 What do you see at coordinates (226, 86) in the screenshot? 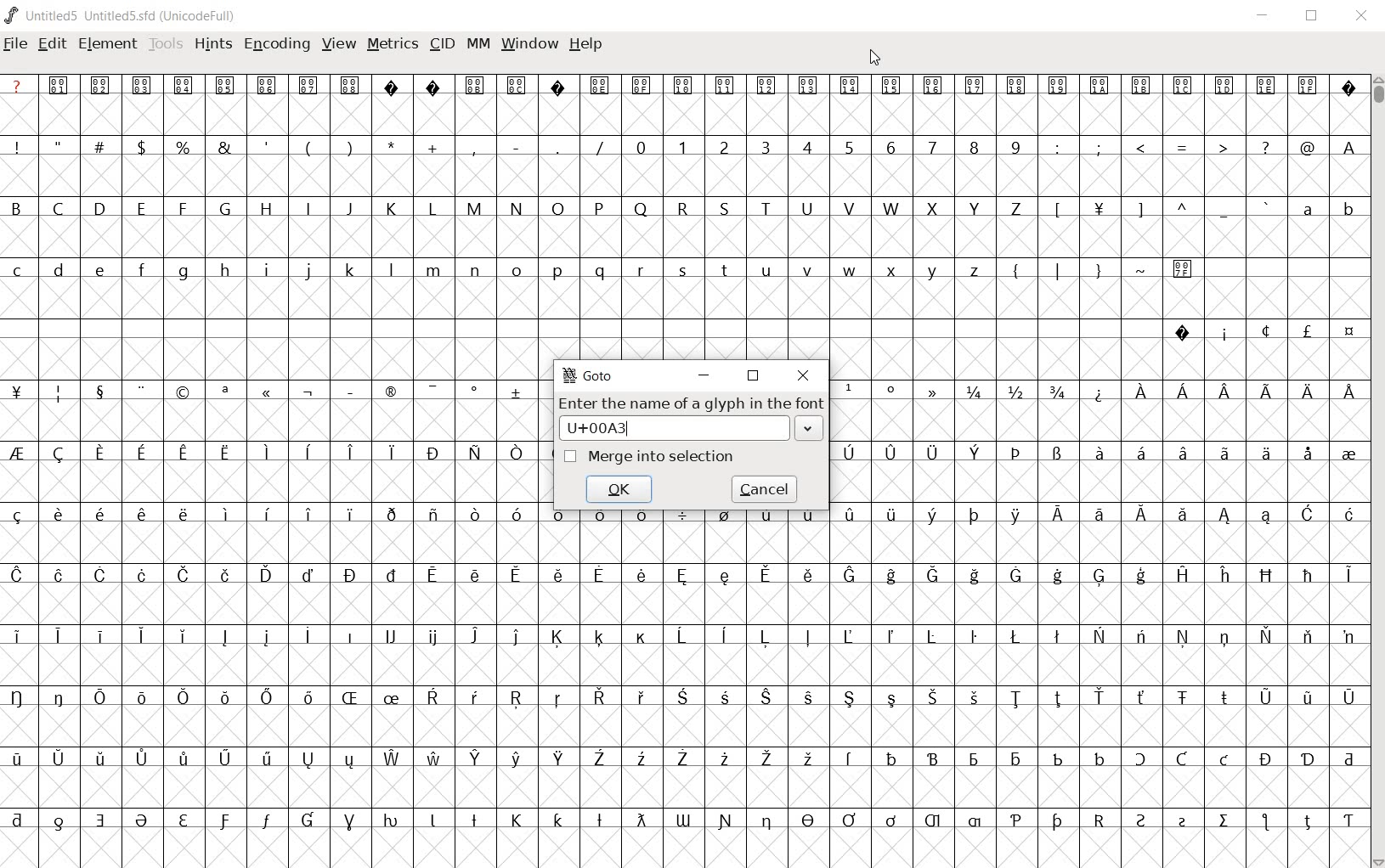
I see `Symbol` at bounding box center [226, 86].